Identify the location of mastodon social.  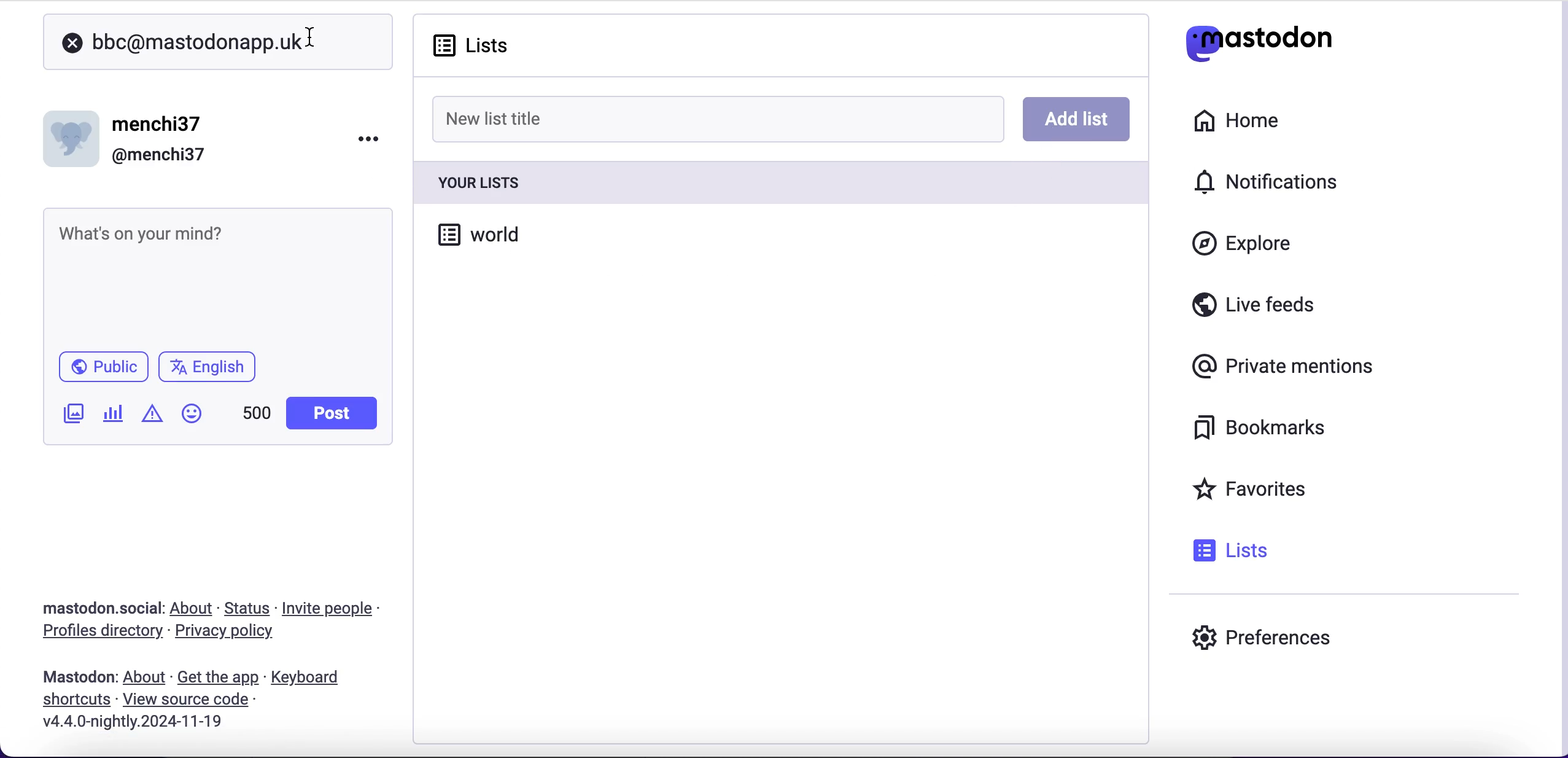
(86, 609).